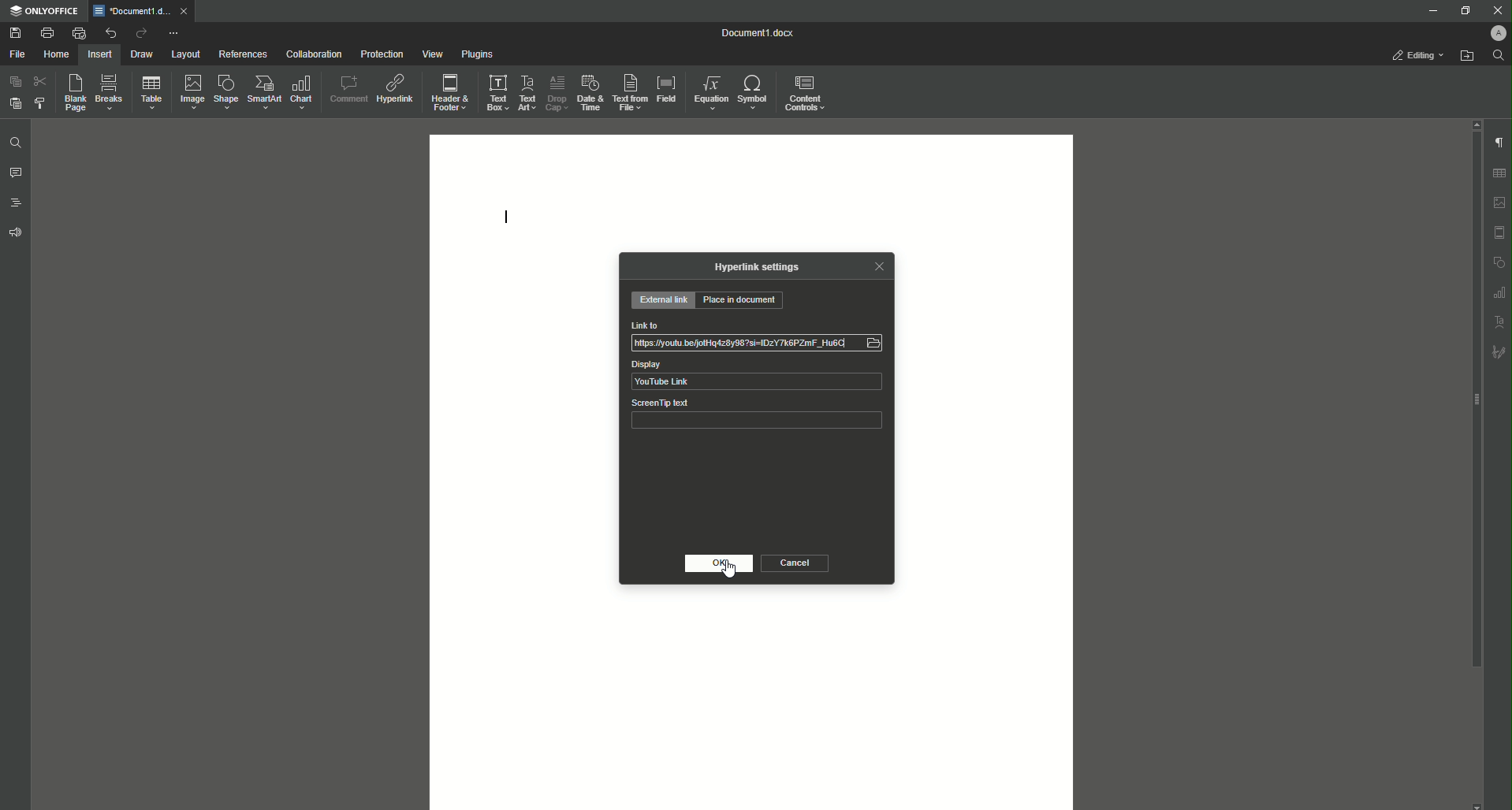 Image resolution: width=1512 pixels, height=810 pixels. Describe the element at coordinates (382, 55) in the screenshot. I see `Protection` at that location.